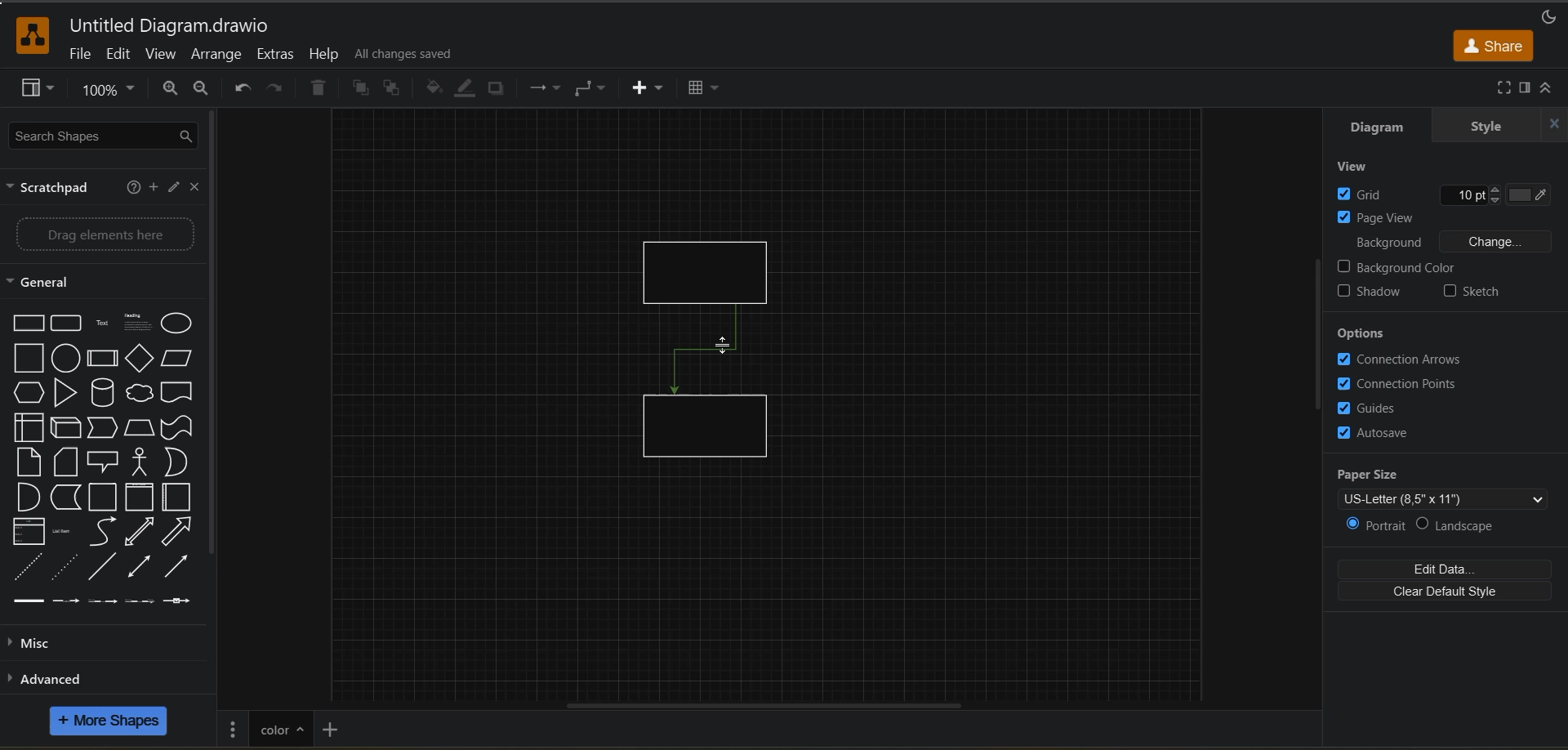 This screenshot has height=750, width=1568. Describe the element at coordinates (104, 359) in the screenshot. I see `Process` at that location.